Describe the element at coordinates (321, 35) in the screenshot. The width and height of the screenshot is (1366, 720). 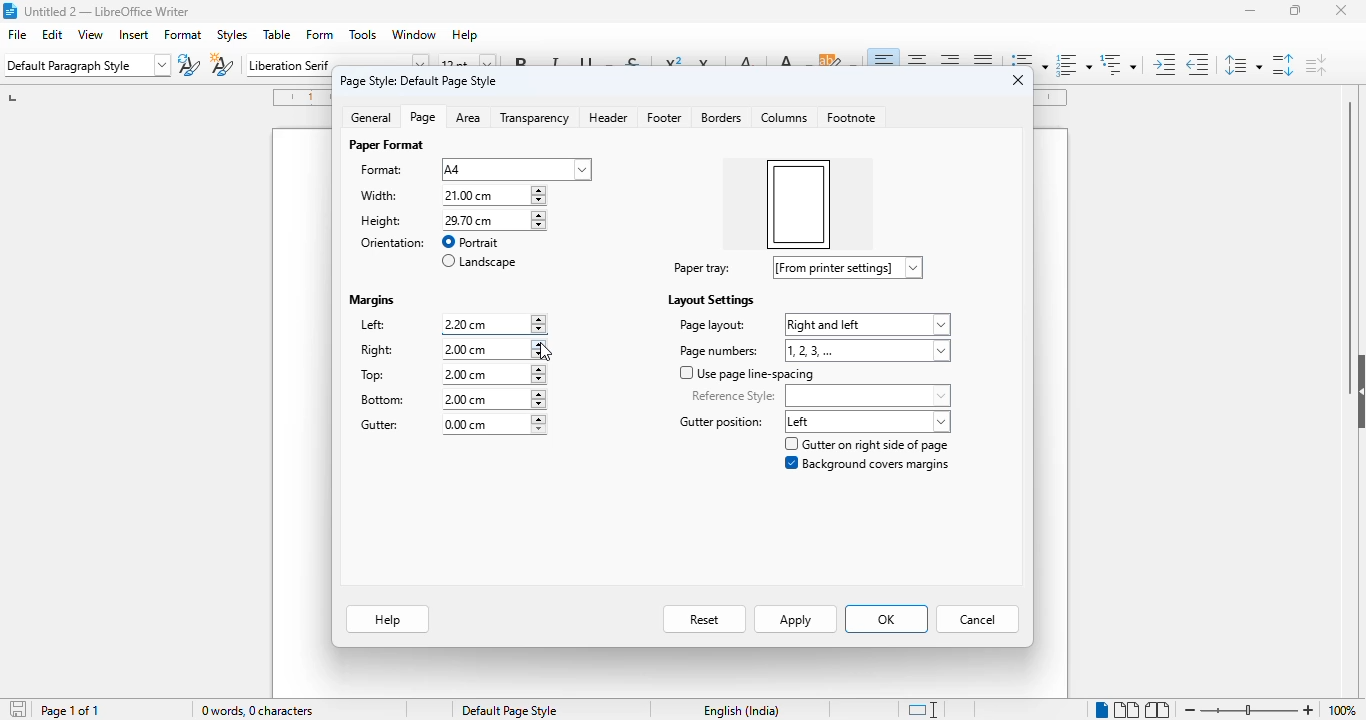
I see `form` at that location.